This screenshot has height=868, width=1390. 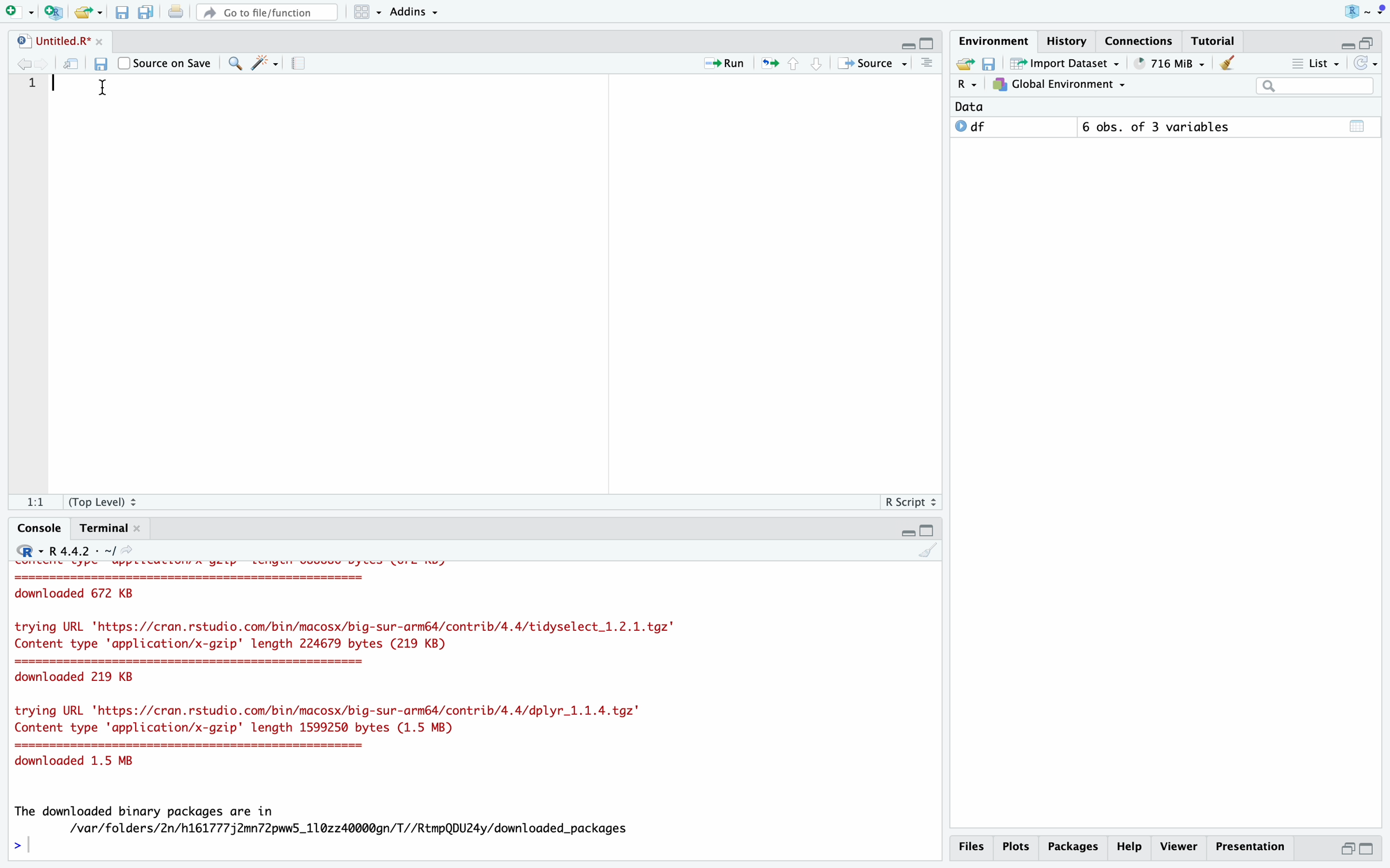 I want to click on Open an existing file, so click(x=88, y=11).